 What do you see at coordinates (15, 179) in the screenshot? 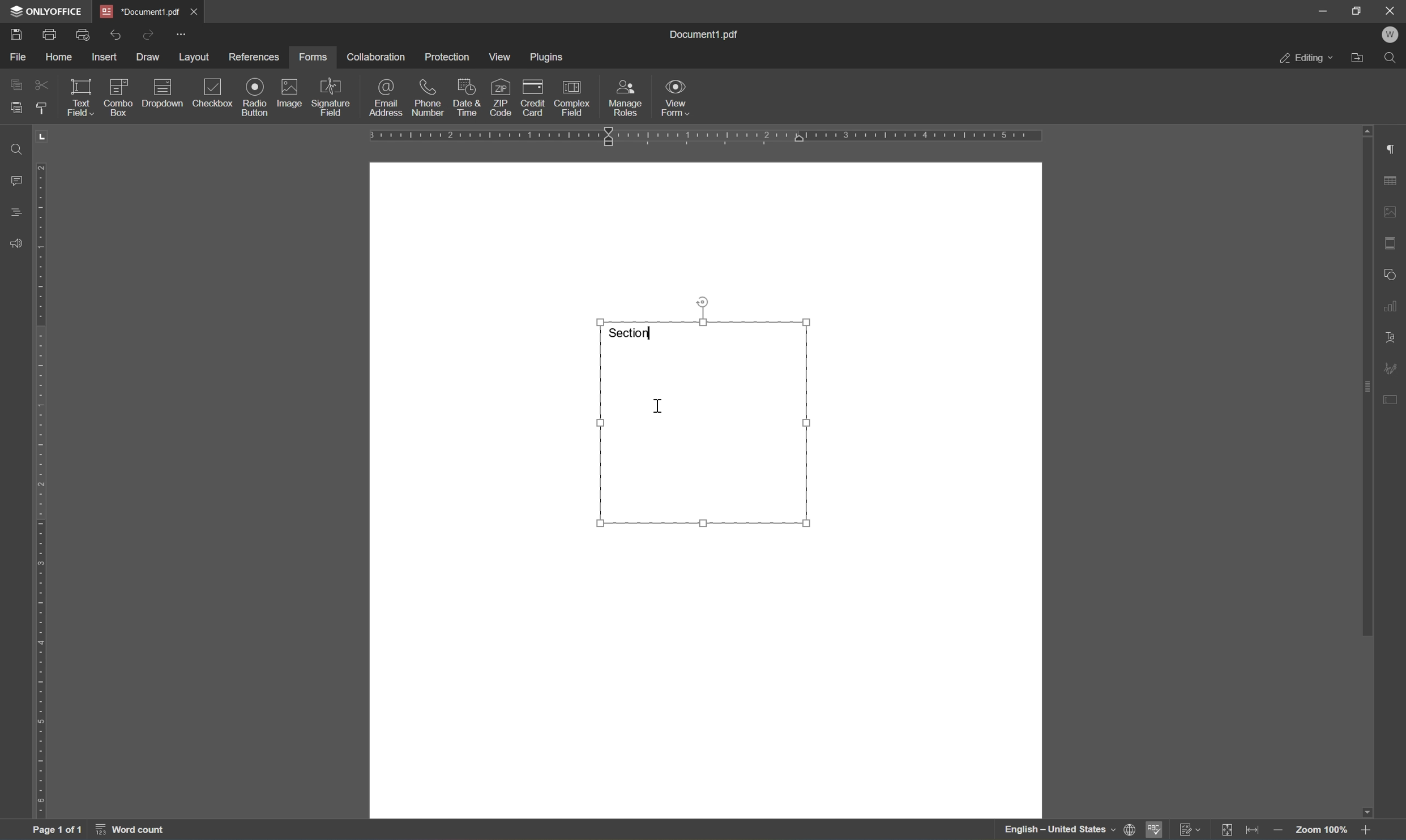
I see `comments` at bounding box center [15, 179].